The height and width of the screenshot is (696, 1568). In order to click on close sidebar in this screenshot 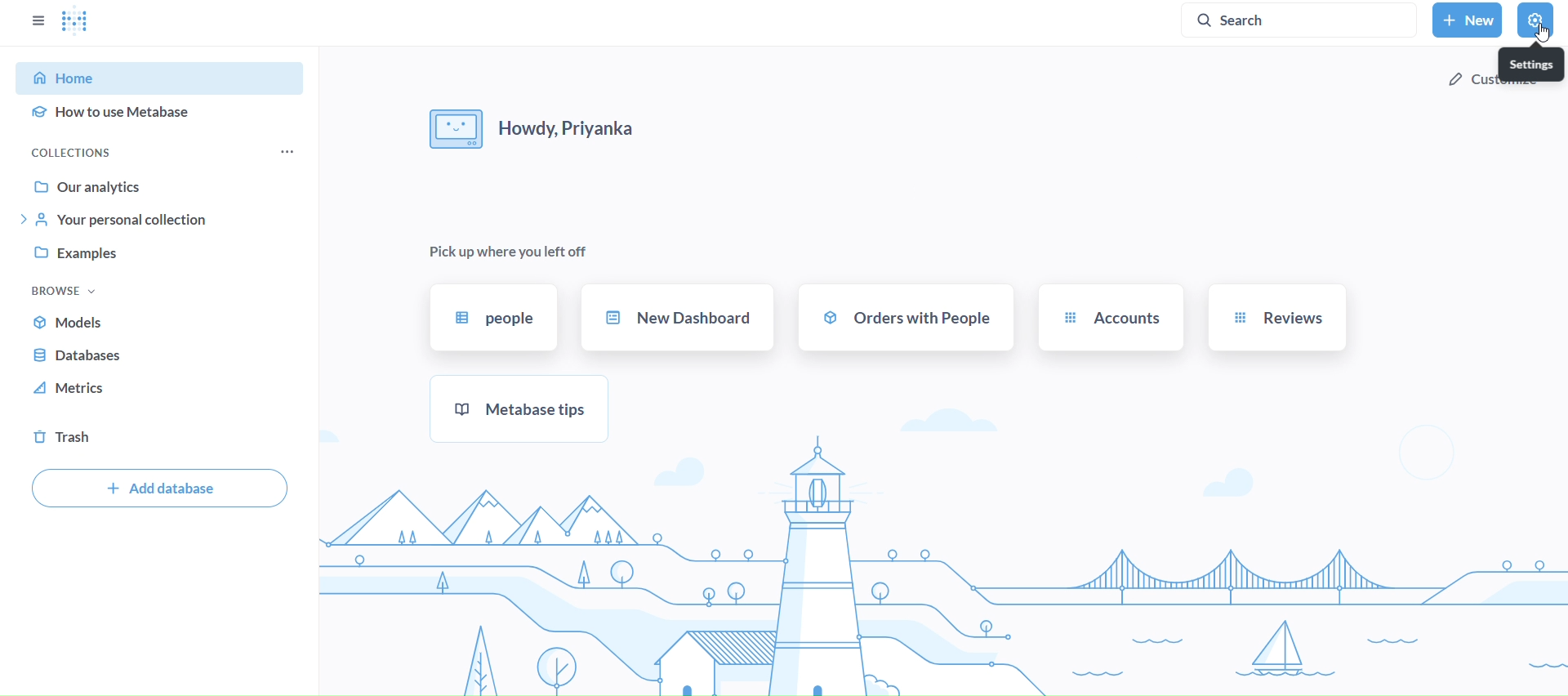, I will do `click(38, 20)`.